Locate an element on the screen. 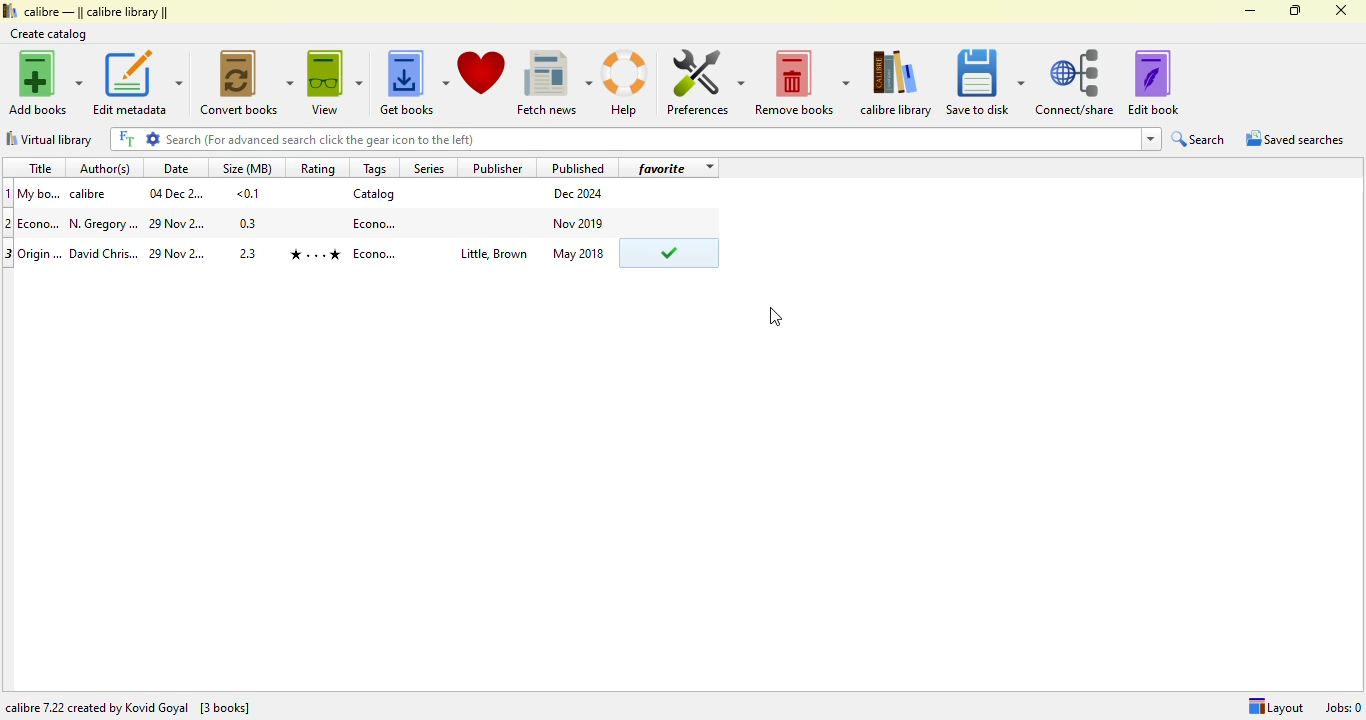 The width and height of the screenshot is (1366, 720). publish date is located at coordinates (580, 194).